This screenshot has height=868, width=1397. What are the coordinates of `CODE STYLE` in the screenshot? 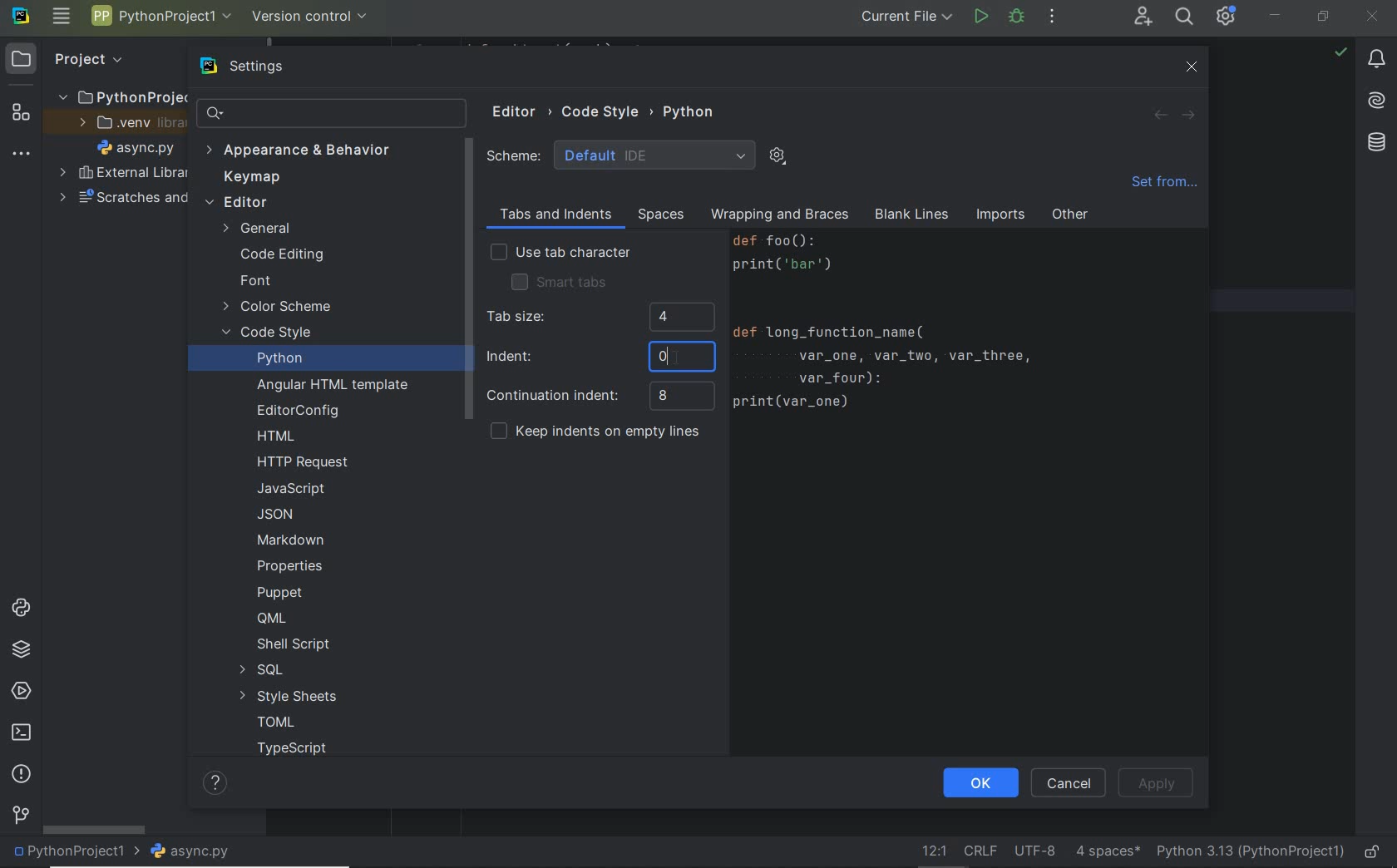 It's located at (610, 110).